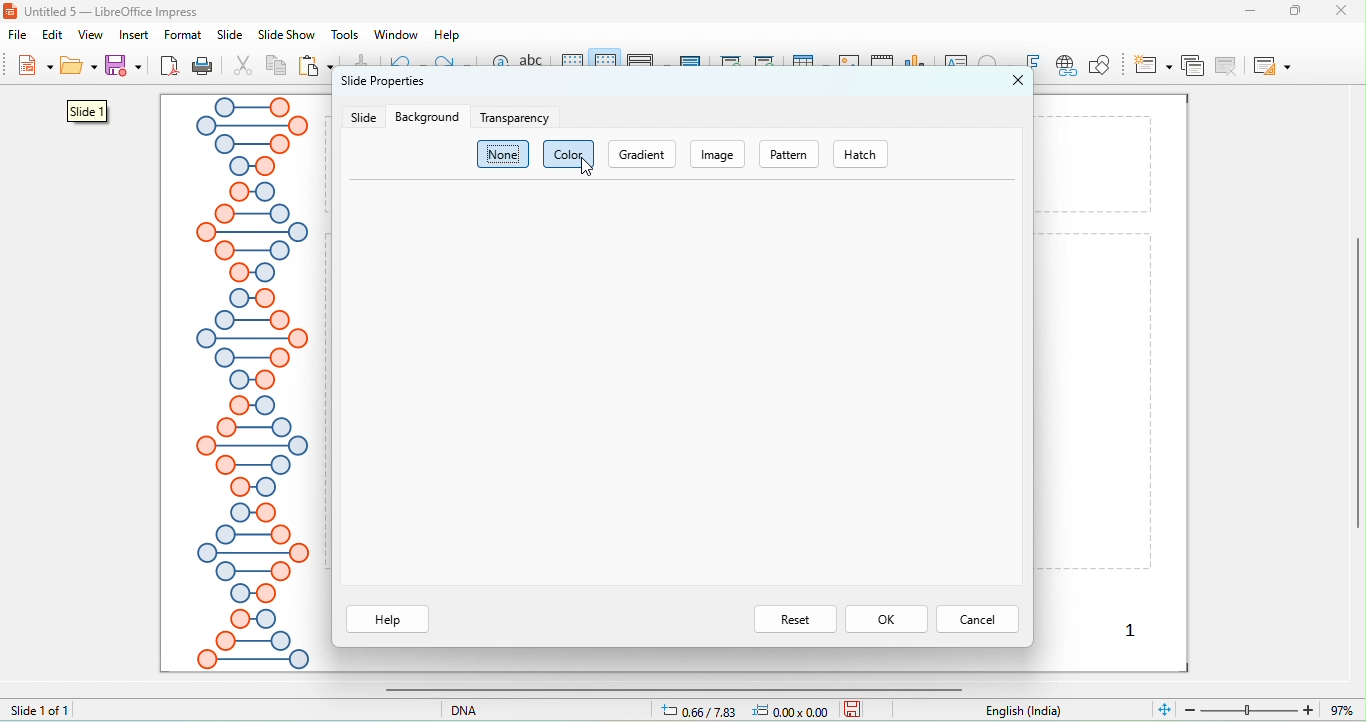 Image resolution: width=1366 pixels, height=722 pixels. Describe the element at coordinates (79, 69) in the screenshot. I see `open` at that location.